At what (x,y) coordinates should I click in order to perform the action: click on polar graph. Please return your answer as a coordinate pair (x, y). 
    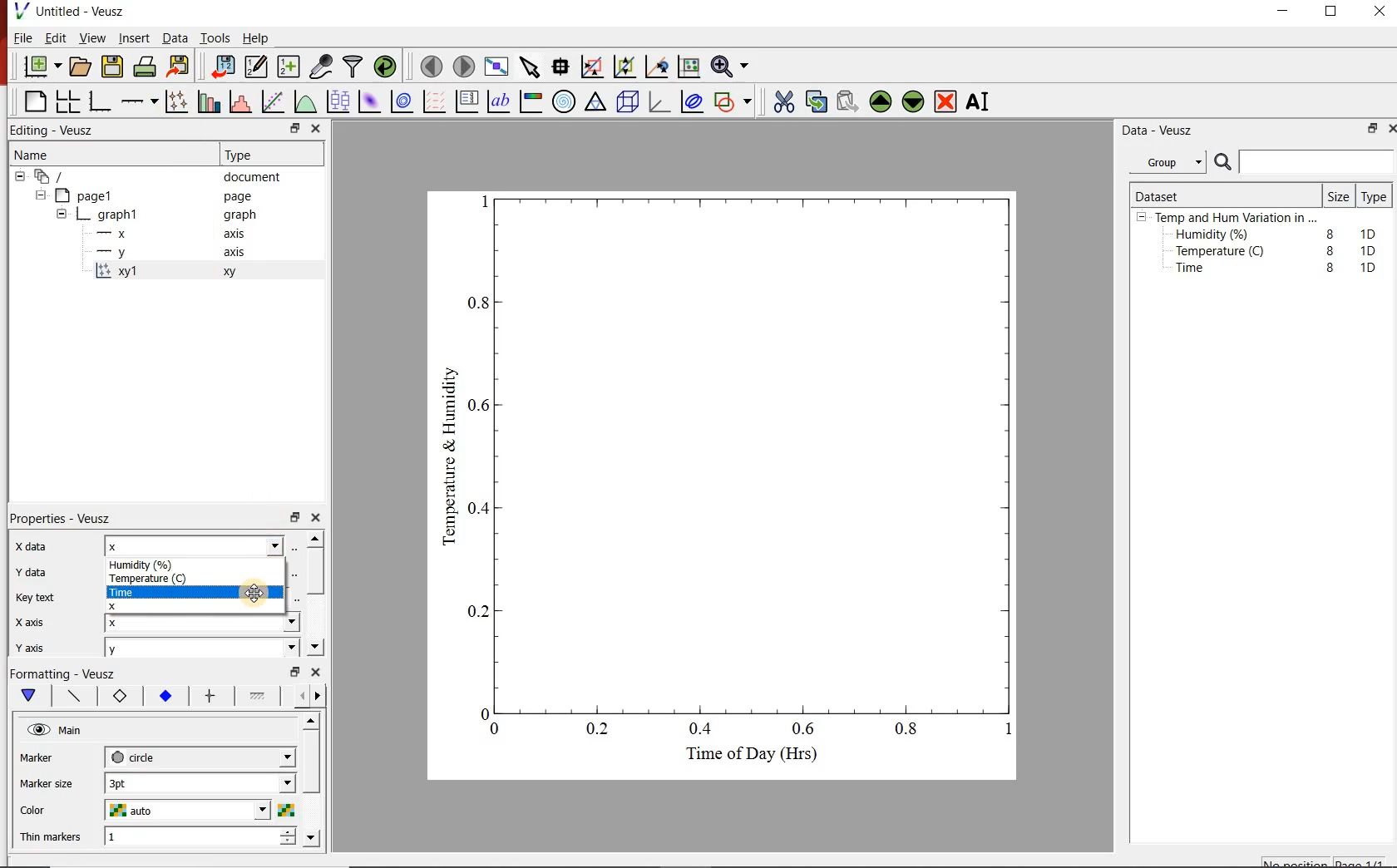
    Looking at the image, I should click on (565, 103).